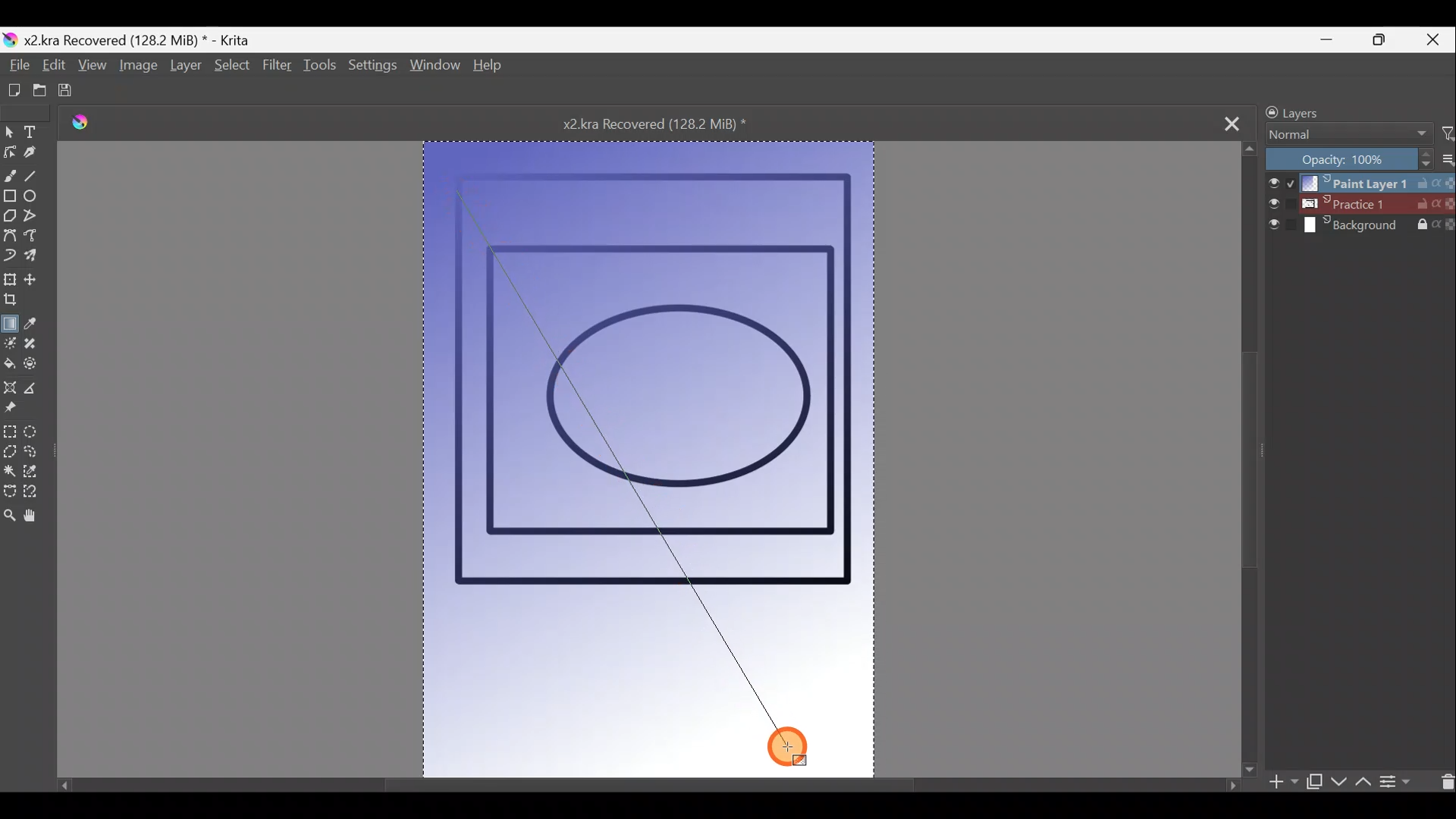 This screenshot has width=1456, height=819. Describe the element at coordinates (33, 498) in the screenshot. I see `Magnetic curve selection tool` at that location.